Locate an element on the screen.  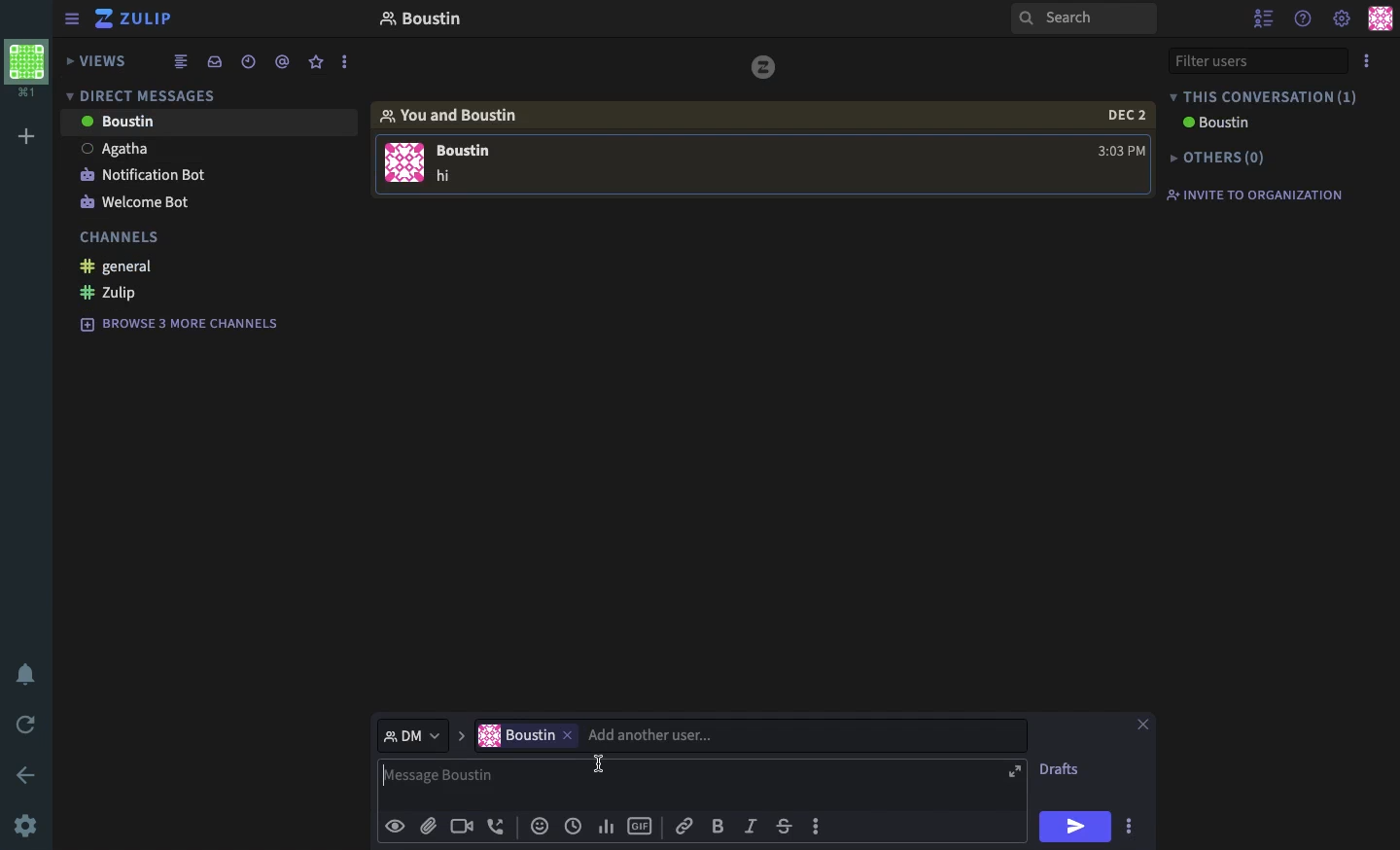
channels is located at coordinates (120, 240).